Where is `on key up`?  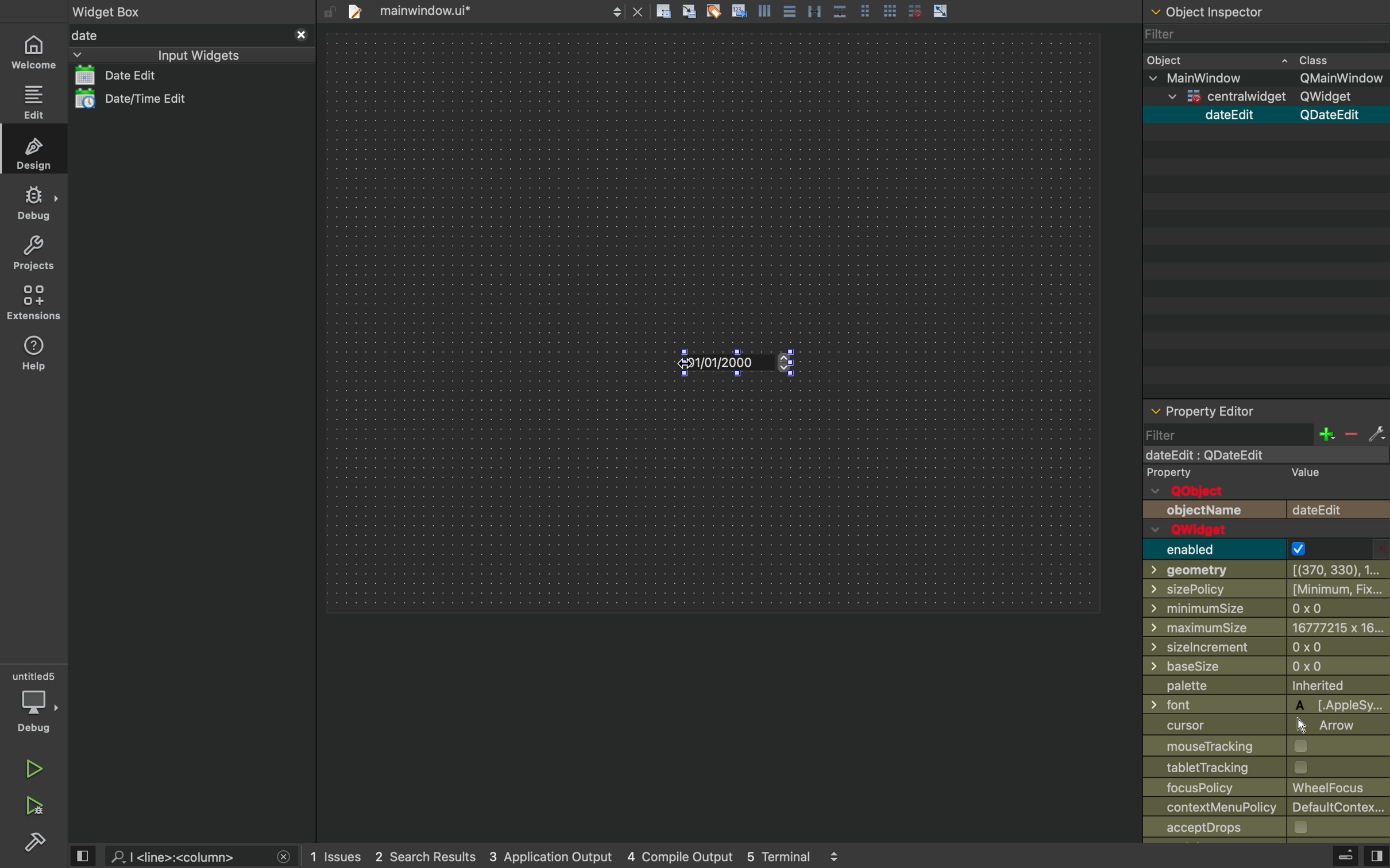 on key up is located at coordinates (749, 365).